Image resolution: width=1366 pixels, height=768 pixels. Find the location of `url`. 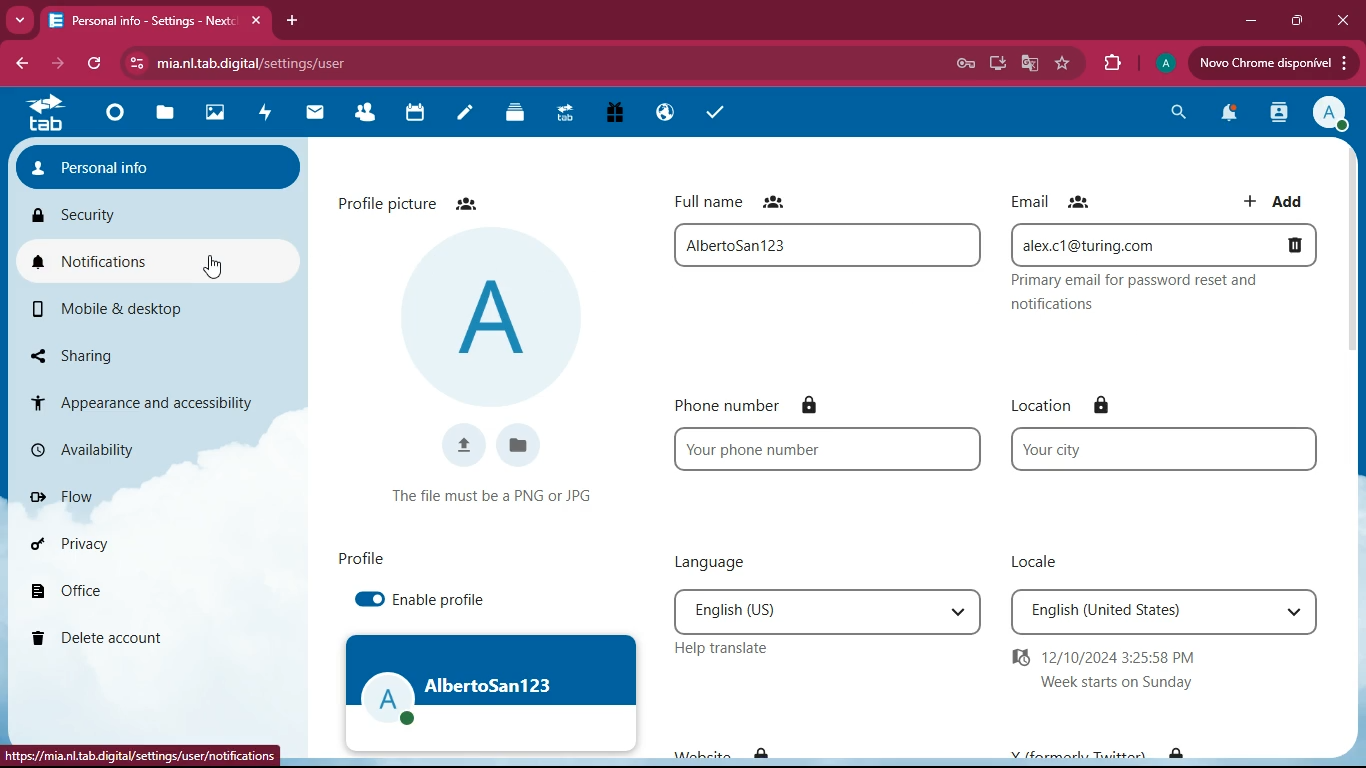

url is located at coordinates (306, 62).